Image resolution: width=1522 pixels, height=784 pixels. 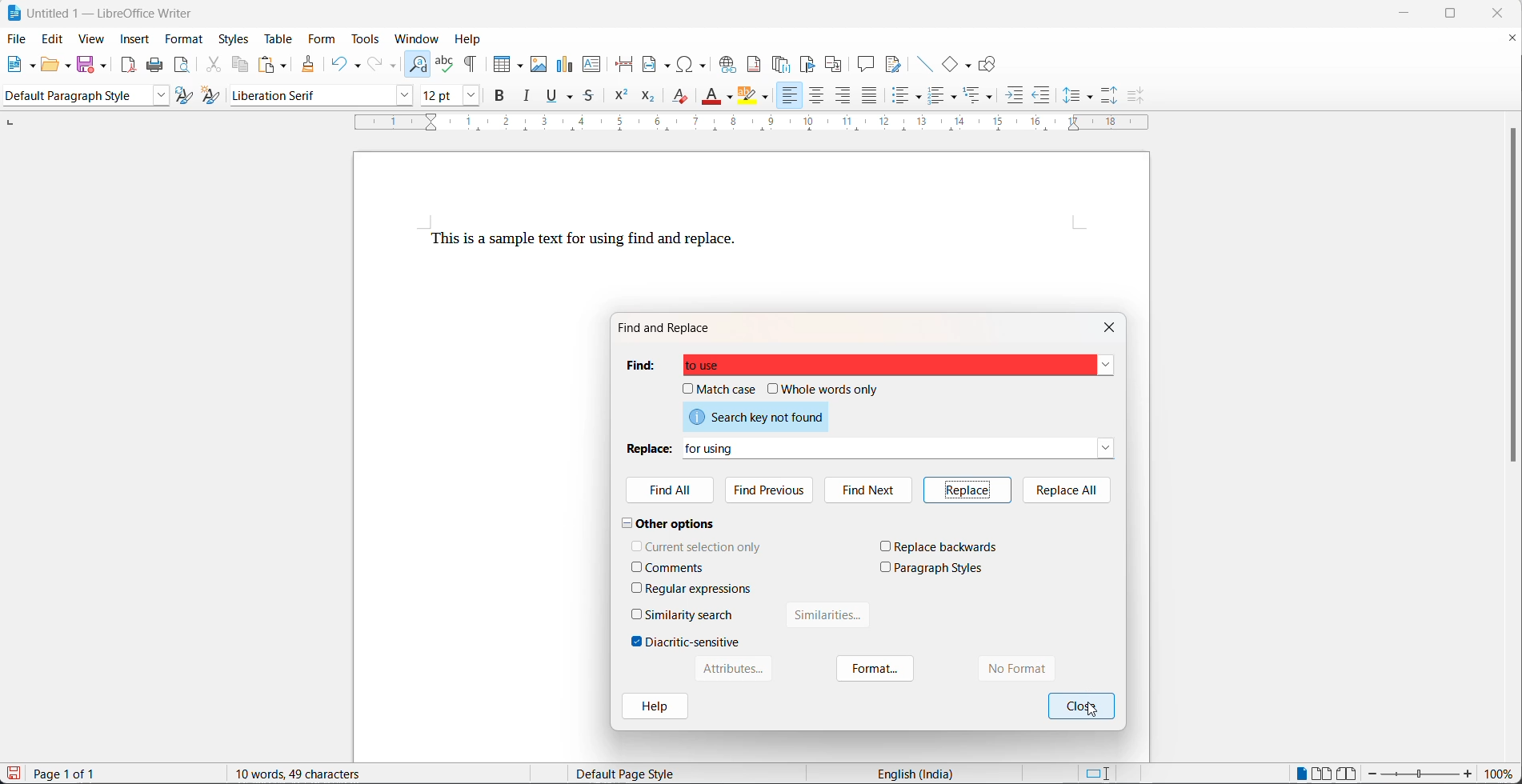 I want to click on undo, so click(x=338, y=62).